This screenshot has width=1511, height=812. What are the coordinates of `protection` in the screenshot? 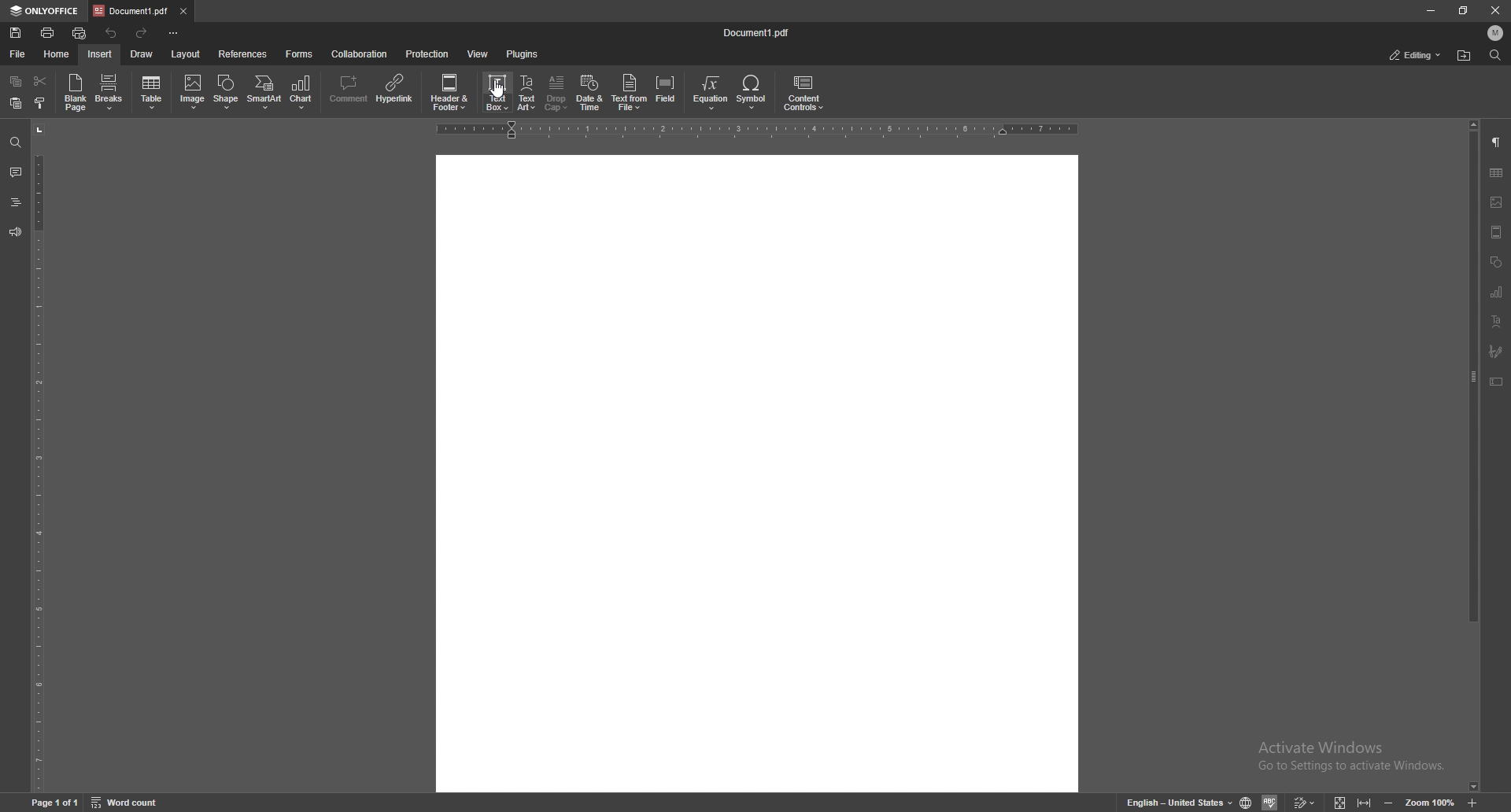 It's located at (427, 53).